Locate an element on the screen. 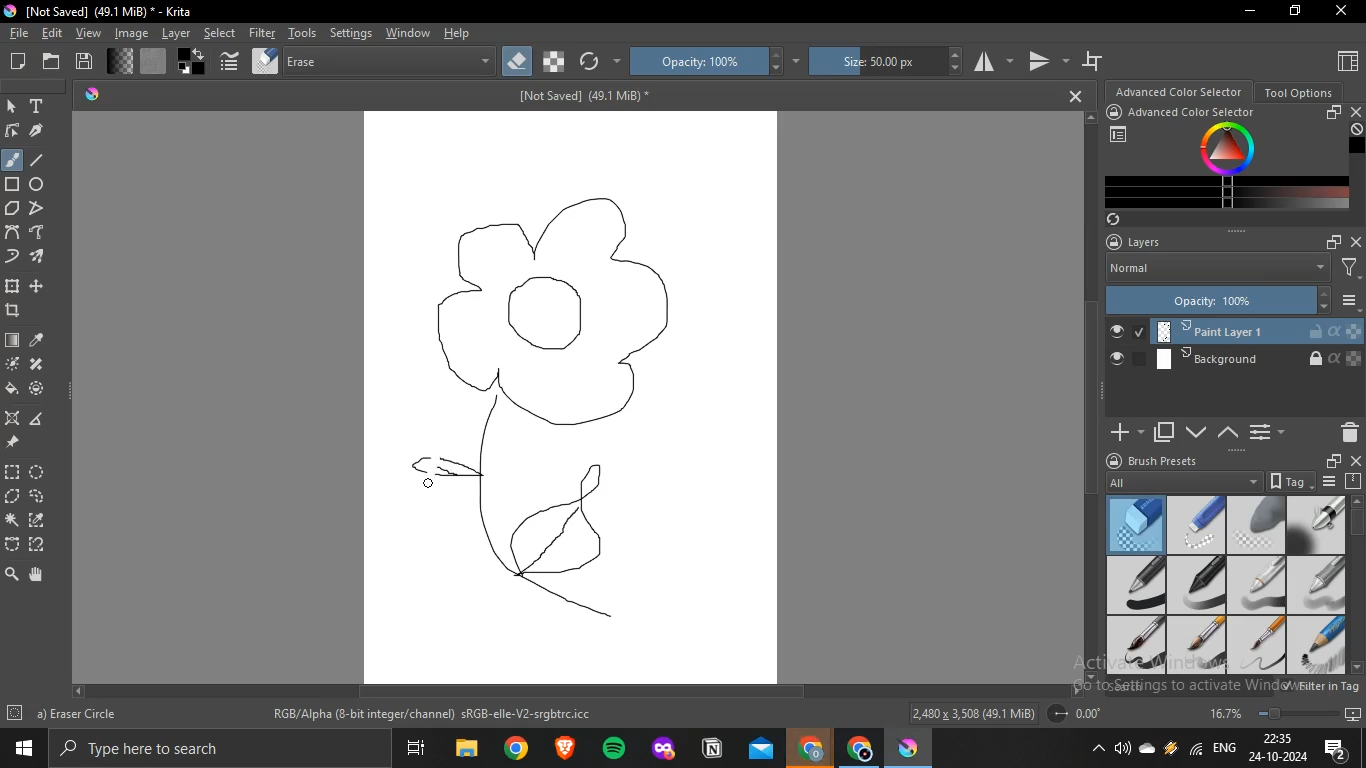 This screenshot has height=768, width=1366. settings is located at coordinates (351, 34).